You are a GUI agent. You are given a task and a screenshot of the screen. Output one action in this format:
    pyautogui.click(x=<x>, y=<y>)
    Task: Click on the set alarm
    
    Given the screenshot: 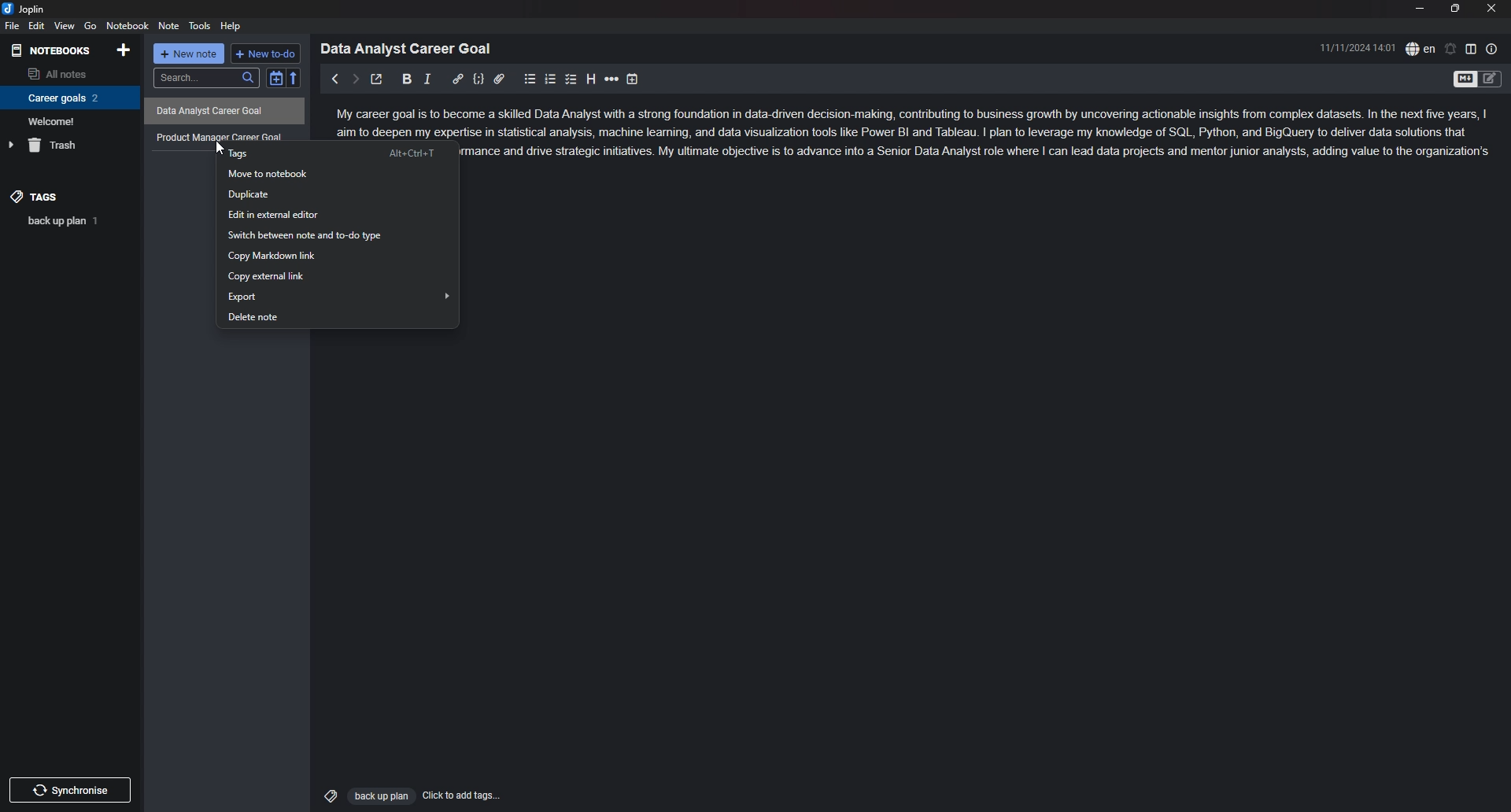 What is the action you would take?
    pyautogui.click(x=1451, y=49)
    